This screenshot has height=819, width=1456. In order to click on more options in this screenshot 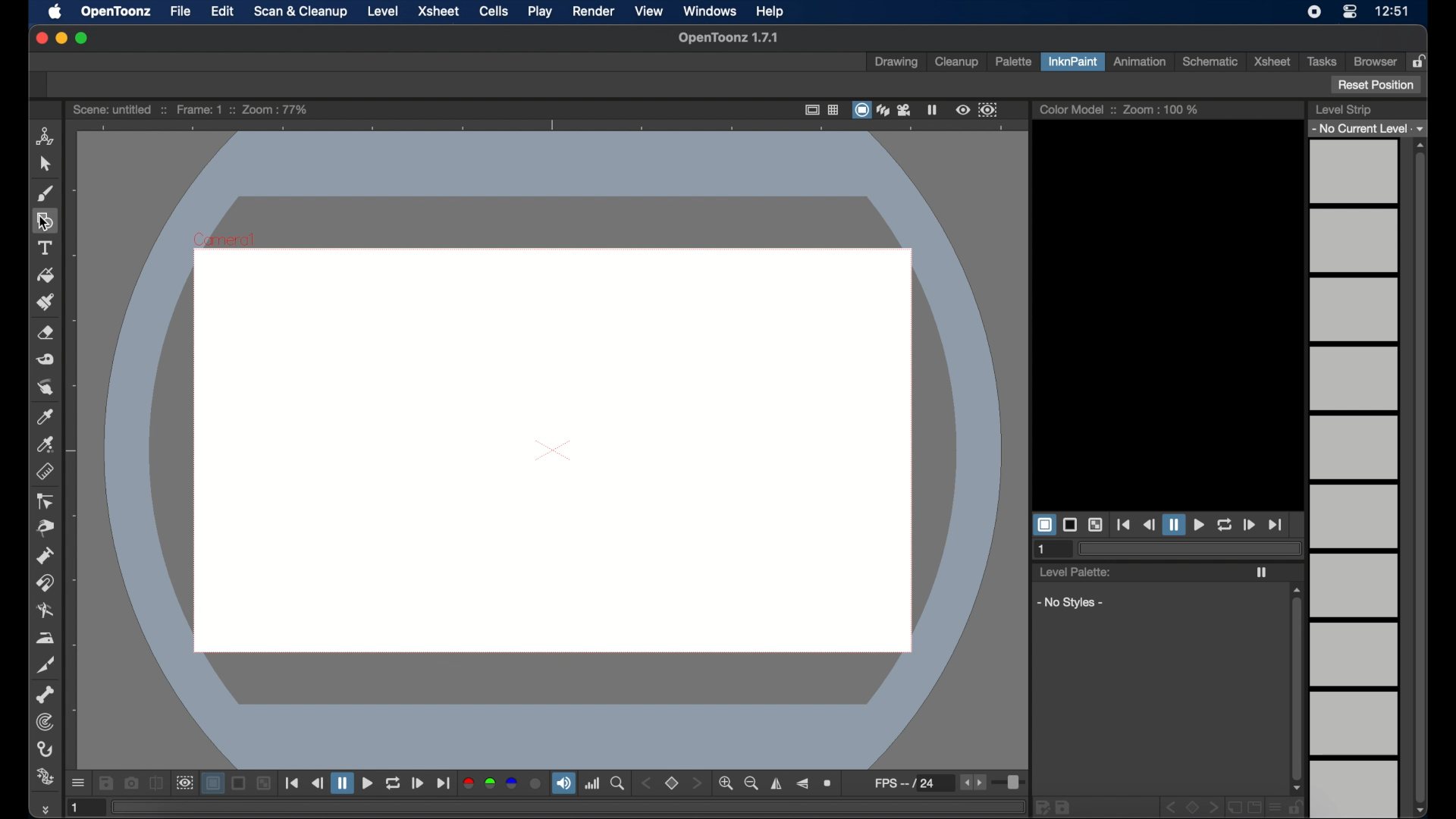, I will do `click(78, 784)`.